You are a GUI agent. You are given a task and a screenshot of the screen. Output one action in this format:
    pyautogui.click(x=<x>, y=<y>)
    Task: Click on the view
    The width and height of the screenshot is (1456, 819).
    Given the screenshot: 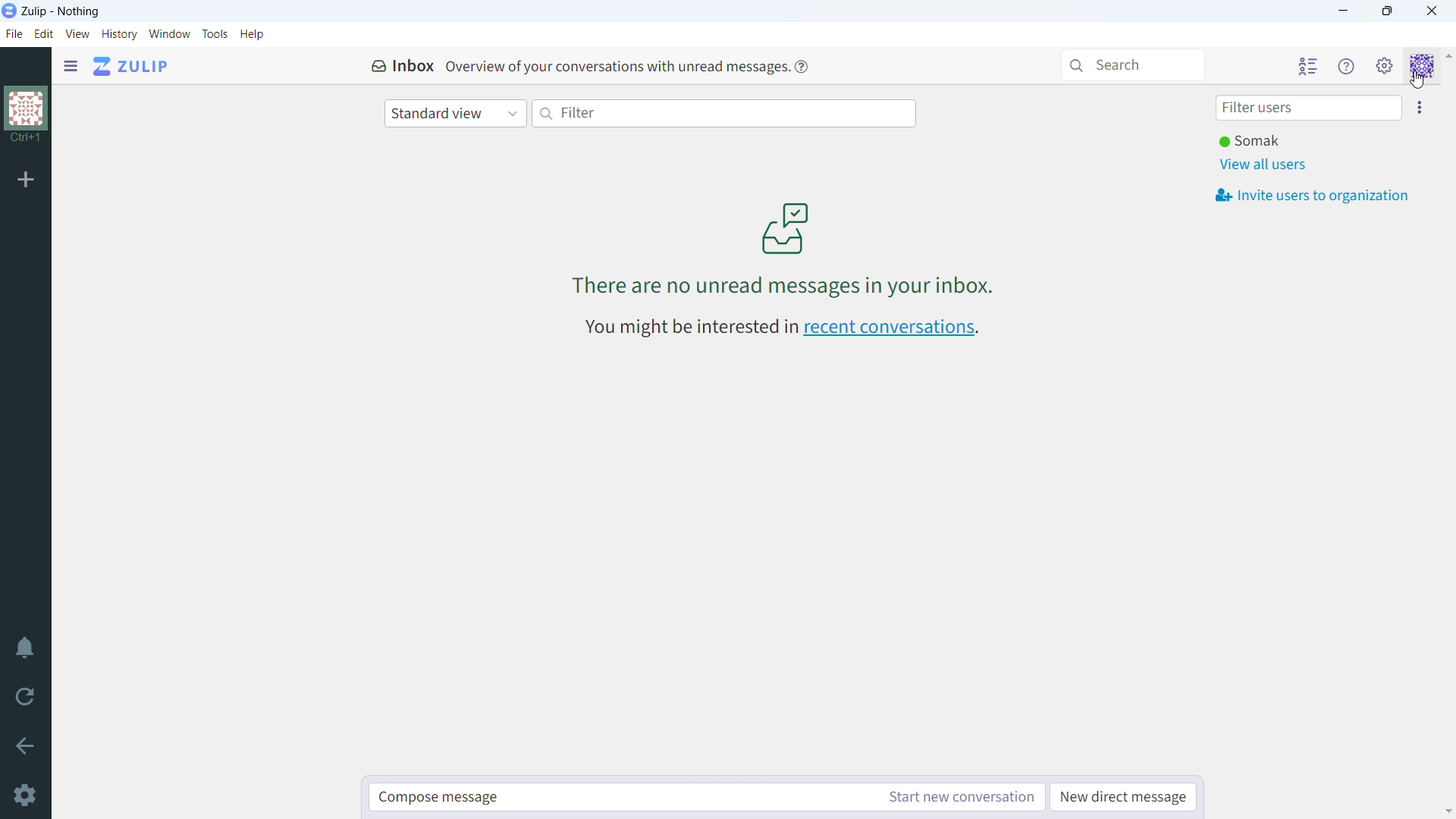 What is the action you would take?
    pyautogui.click(x=78, y=33)
    